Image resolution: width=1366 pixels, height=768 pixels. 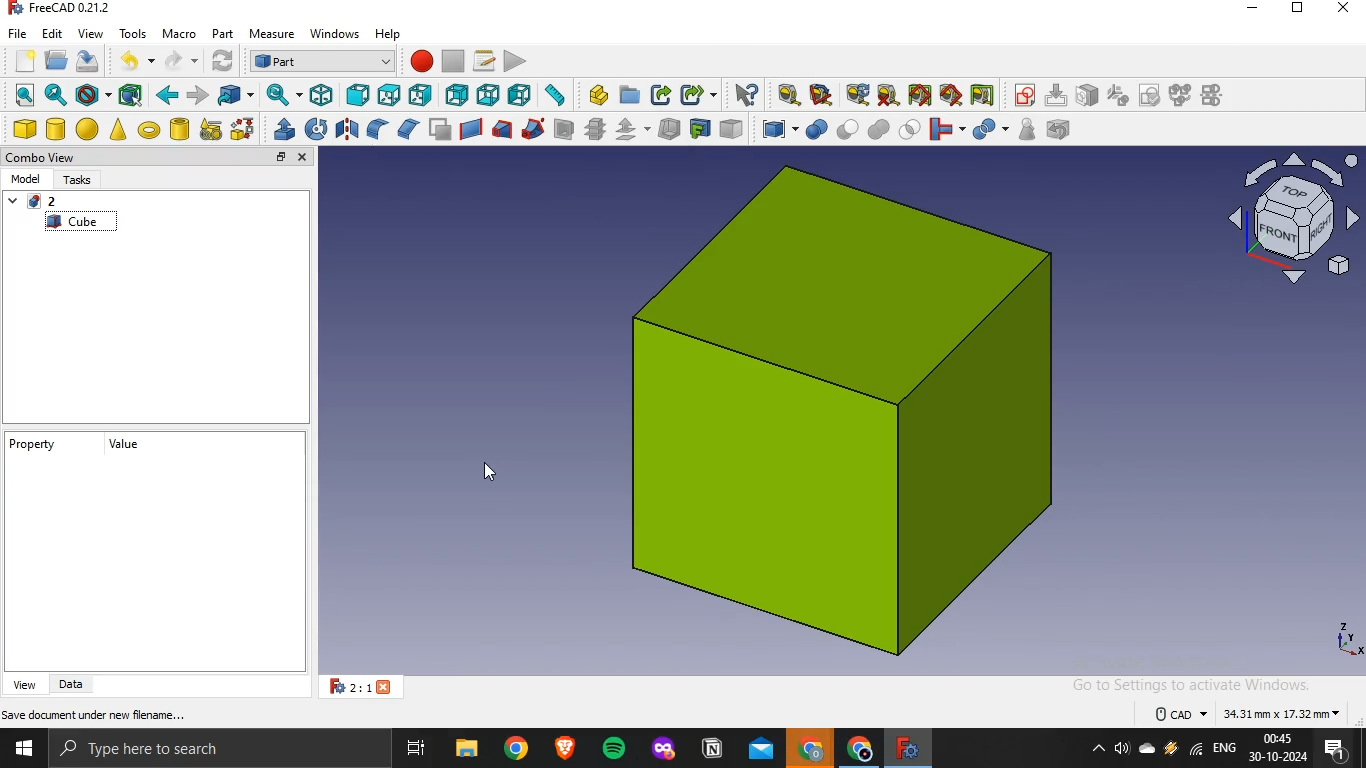 I want to click on redo, so click(x=175, y=59).